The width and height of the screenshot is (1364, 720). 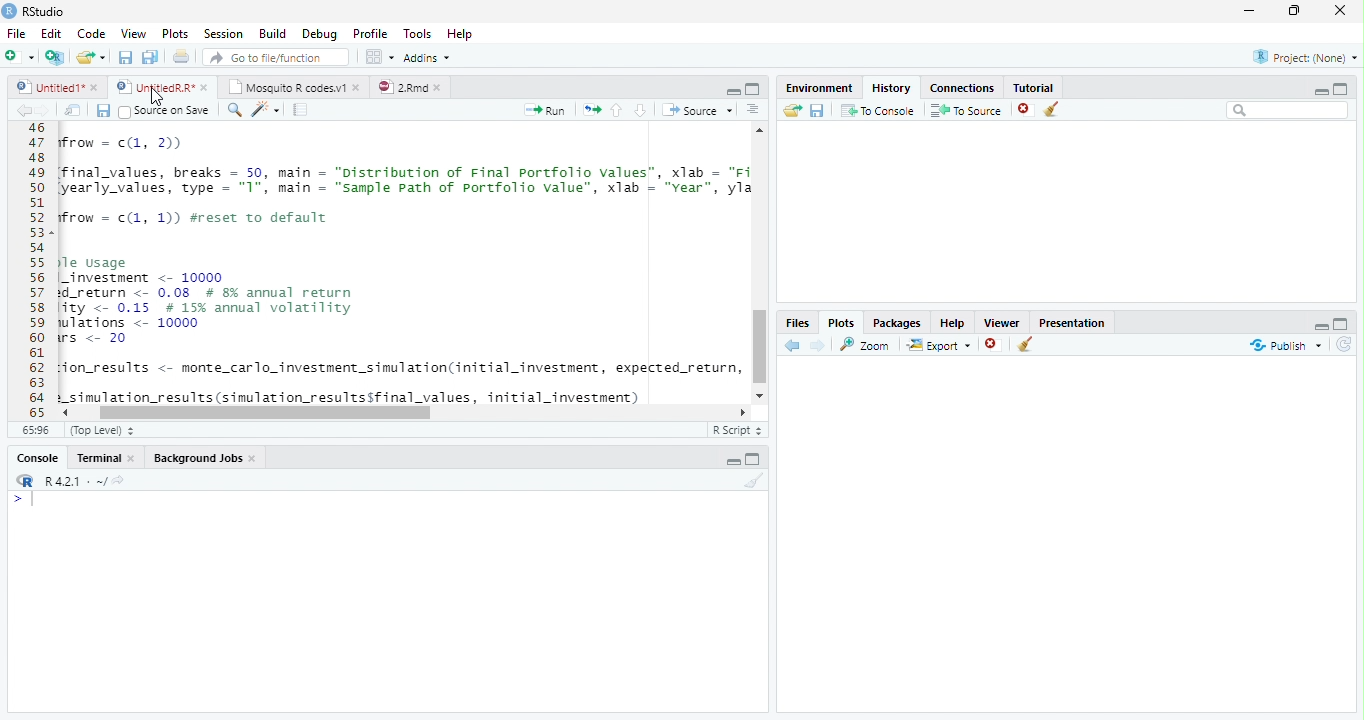 I want to click on Edit, so click(x=50, y=32).